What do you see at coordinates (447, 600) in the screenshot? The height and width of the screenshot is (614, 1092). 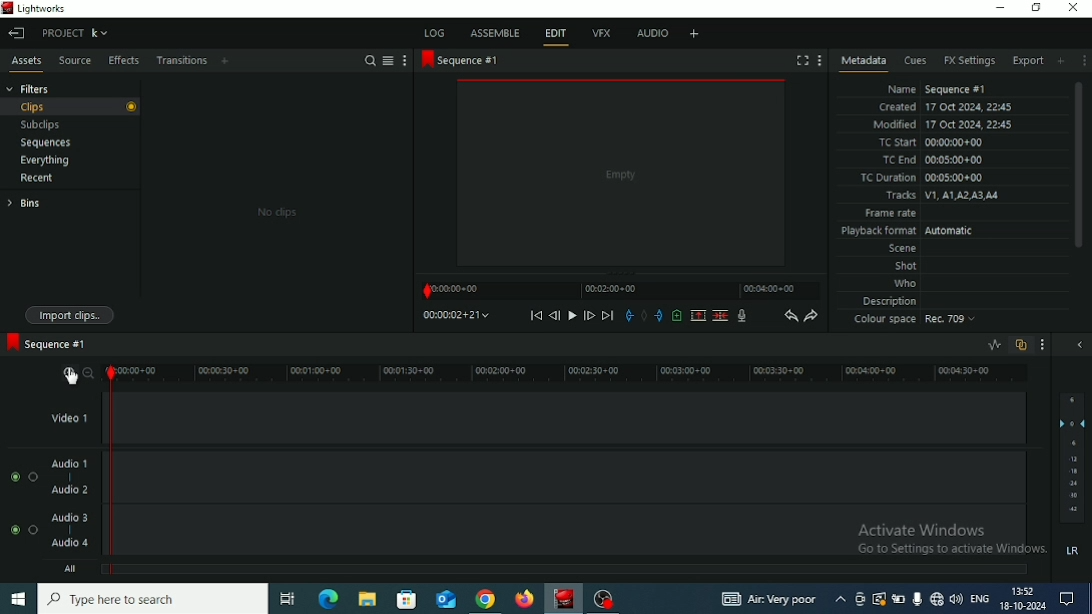 I see `Mail` at bounding box center [447, 600].